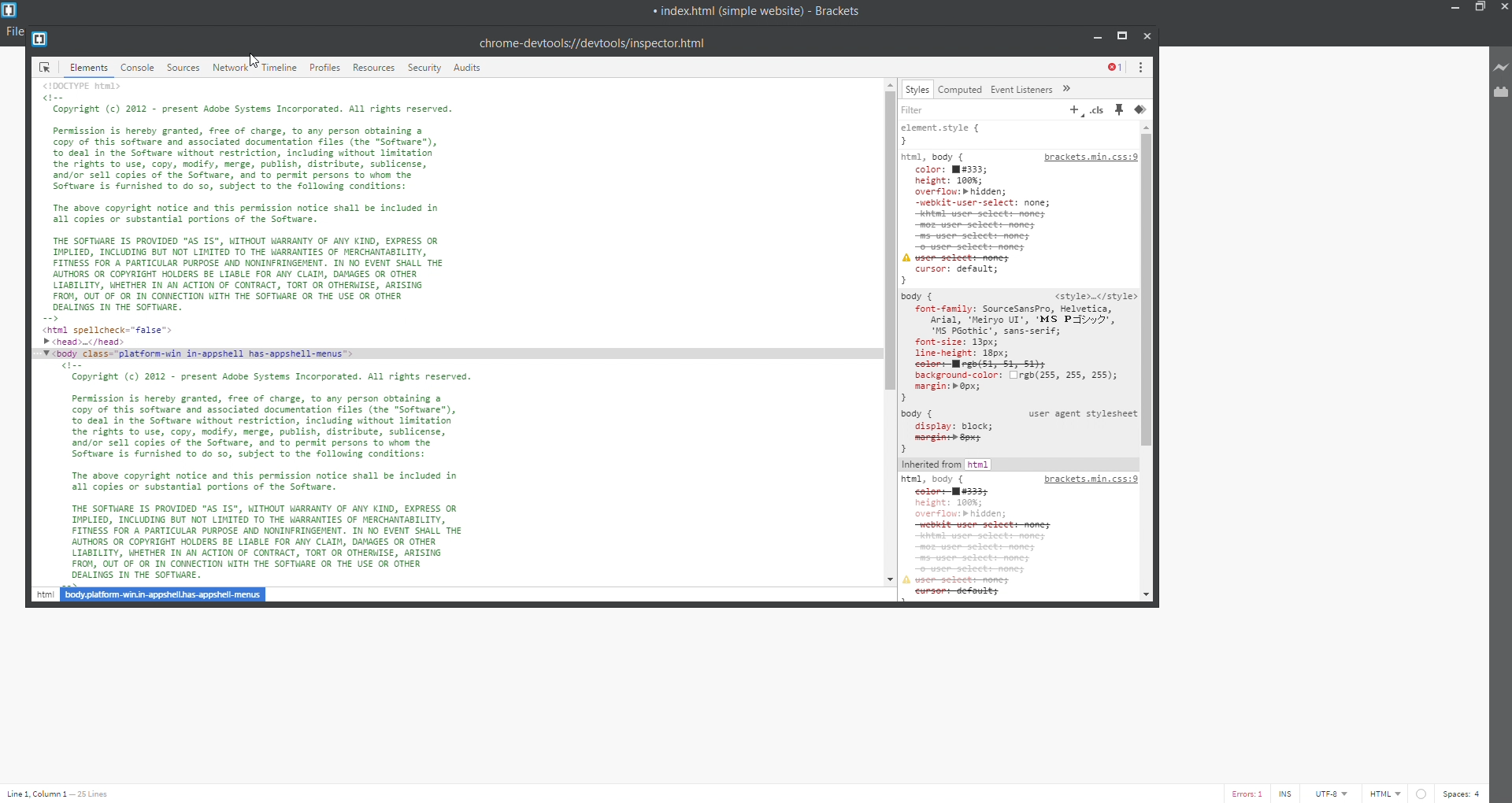 The width and height of the screenshot is (1512, 803). What do you see at coordinates (164, 595) in the screenshot?
I see `body.platform-win.in=appshell.has=appshell-menus` at bounding box center [164, 595].